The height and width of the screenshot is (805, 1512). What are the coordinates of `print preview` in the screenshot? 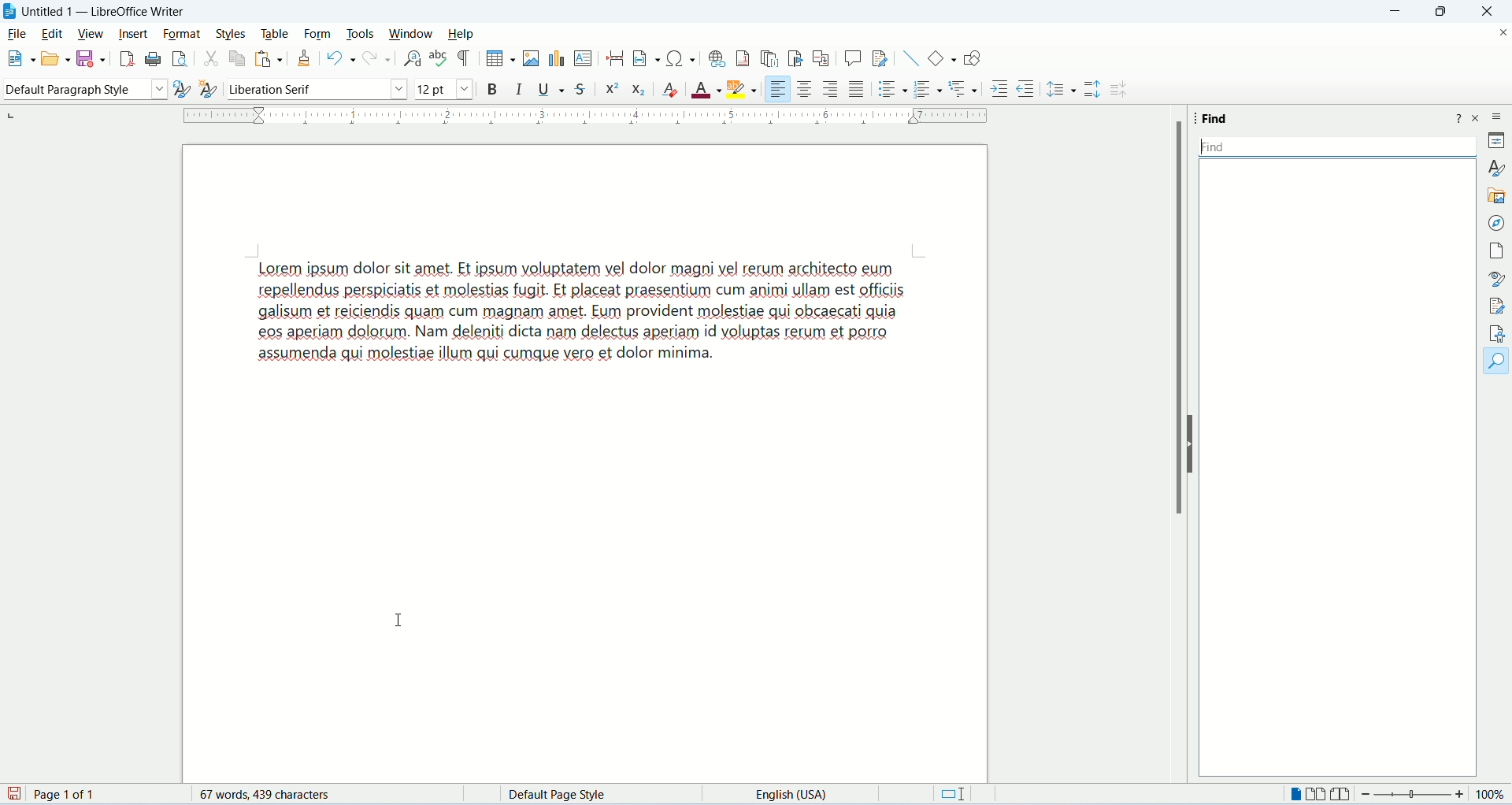 It's located at (179, 61).